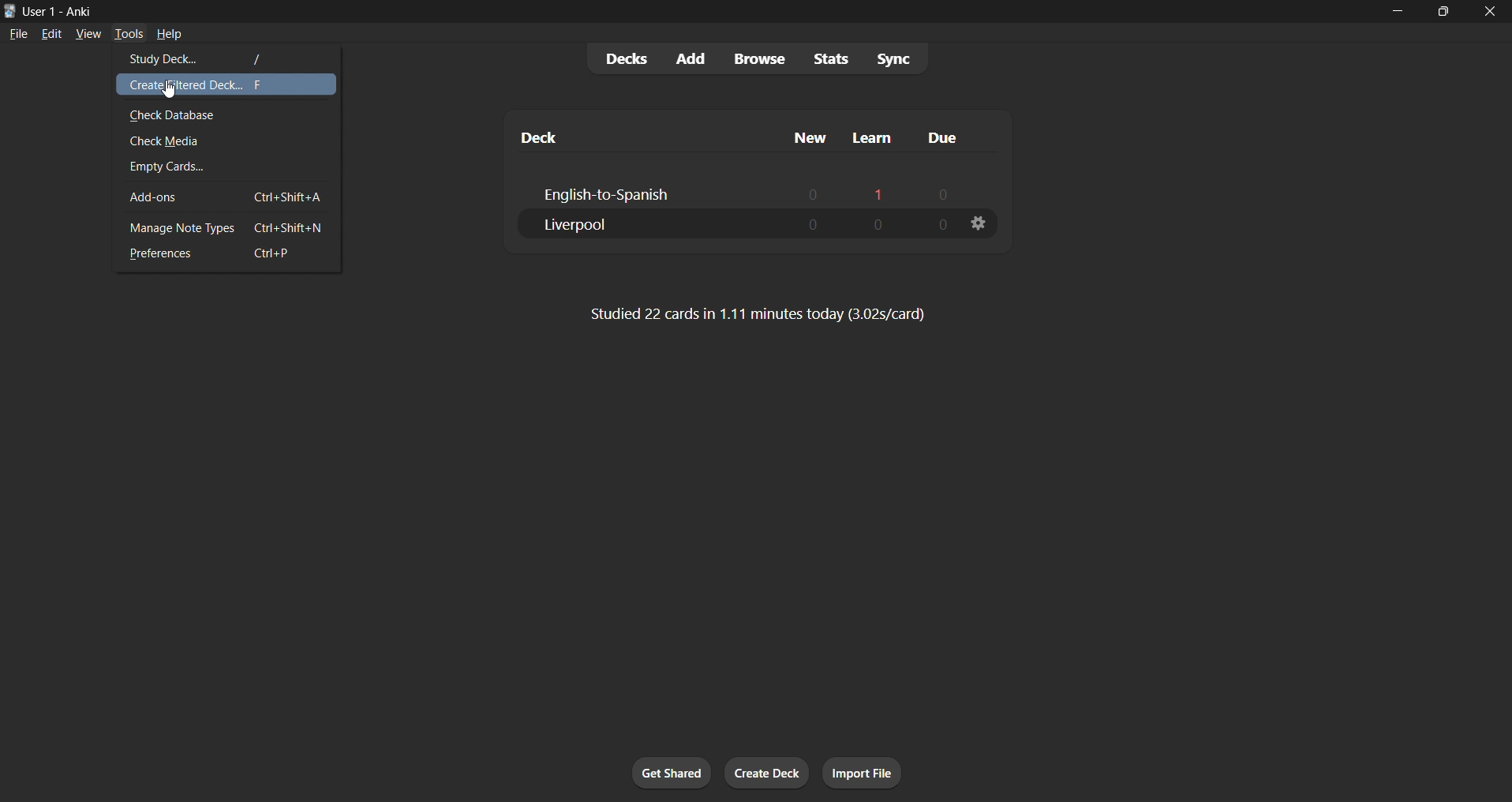  I want to click on 0, so click(878, 224).